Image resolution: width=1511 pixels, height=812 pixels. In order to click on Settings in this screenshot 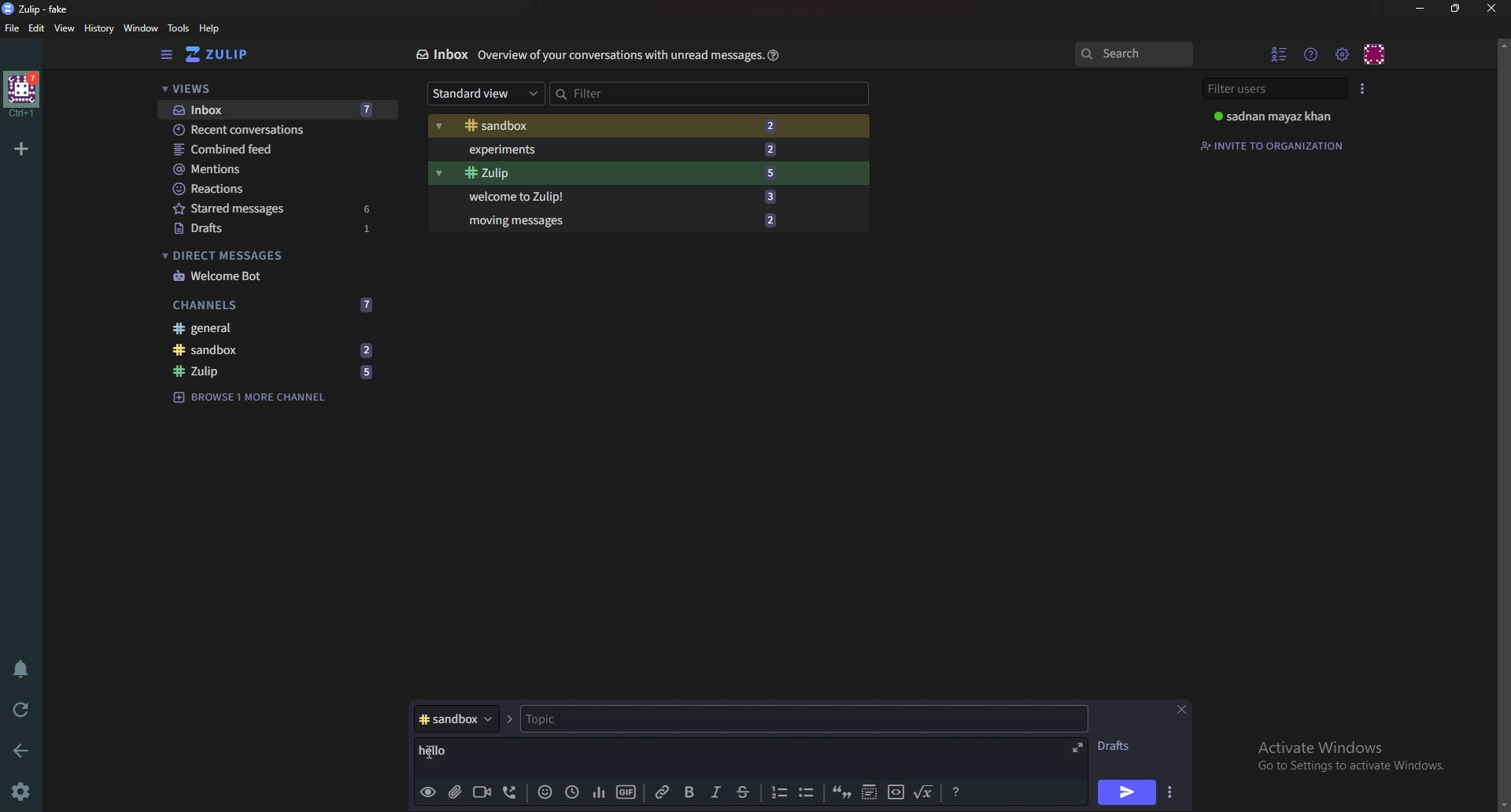, I will do `click(24, 788)`.